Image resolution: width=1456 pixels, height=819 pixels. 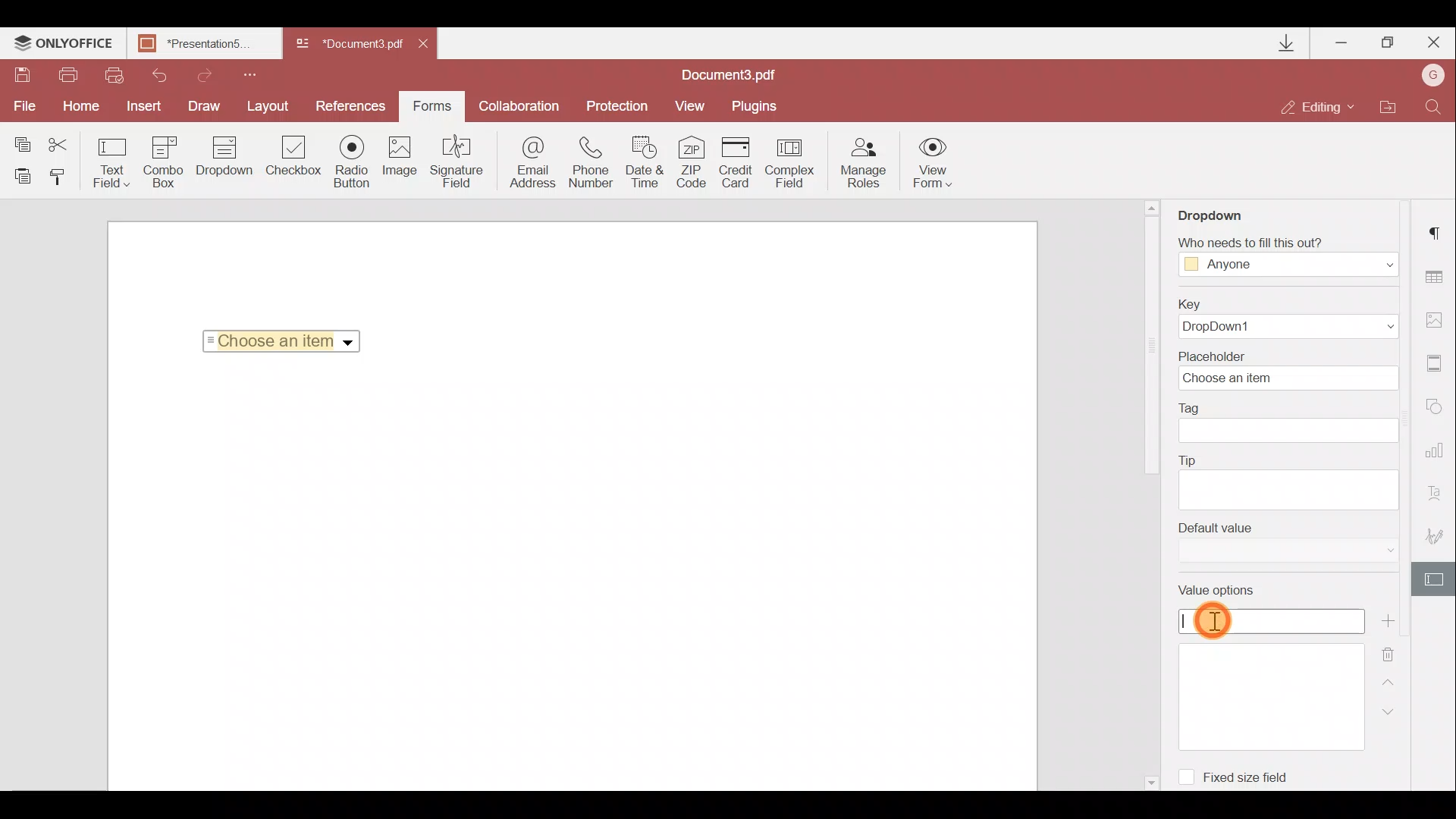 What do you see at coordinates (593, 163) in the screenshot?
I see `Phone number` at bounding box center [593, 163].